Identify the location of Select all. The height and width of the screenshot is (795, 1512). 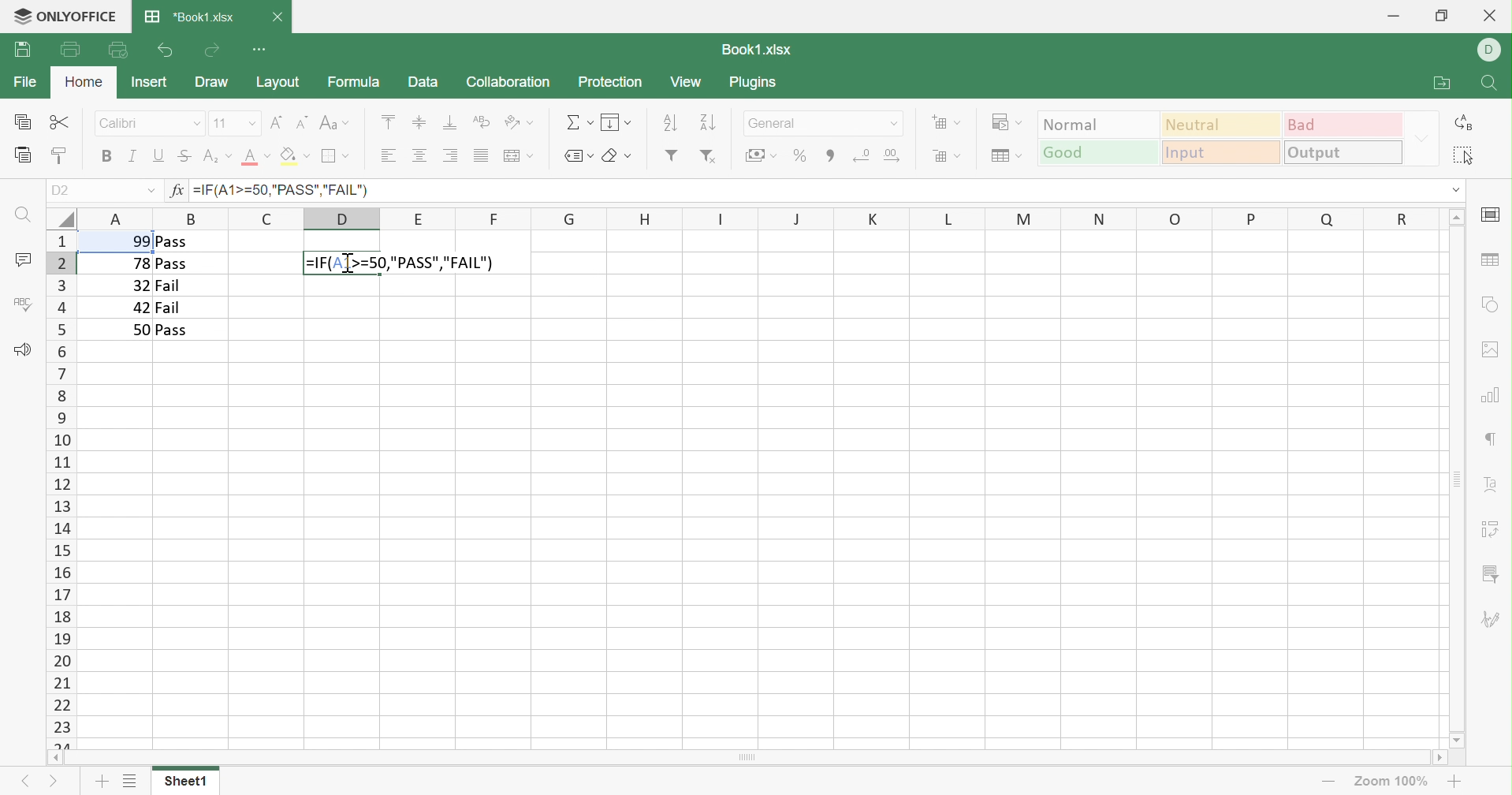
(1464, 155).